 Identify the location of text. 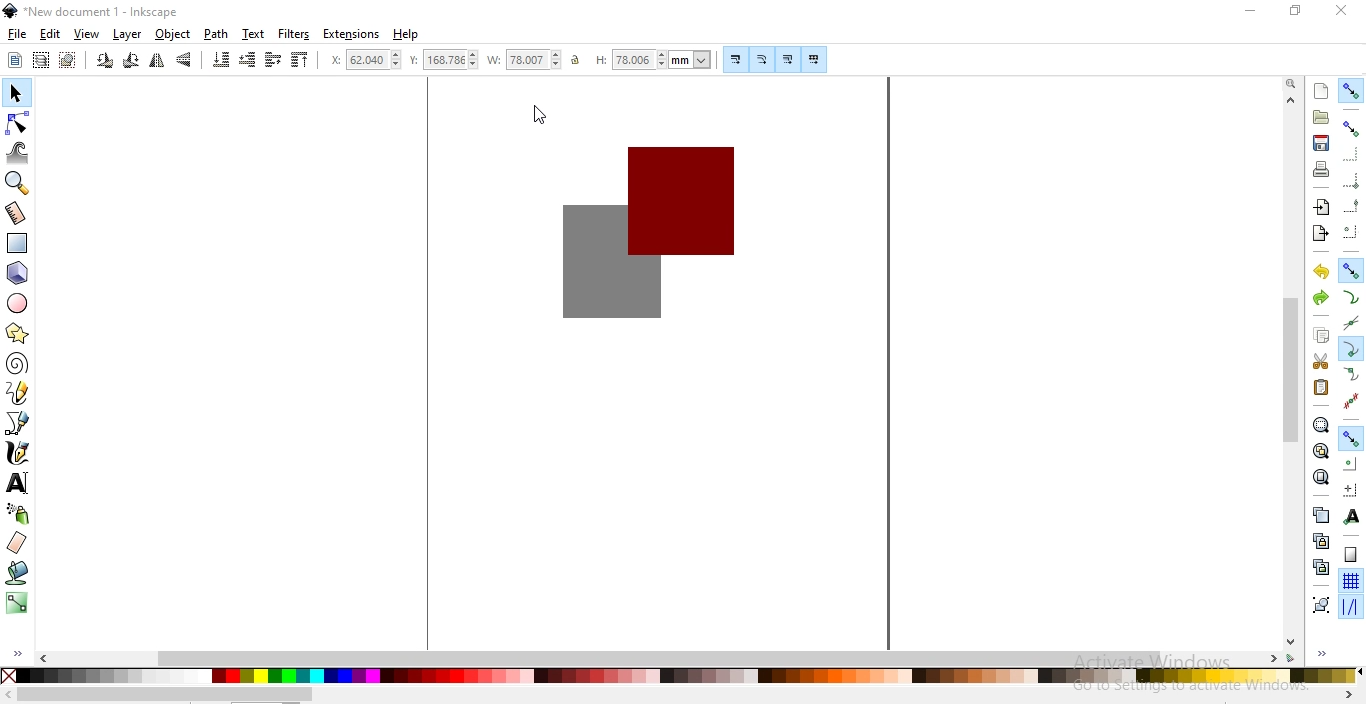
(253, 33).